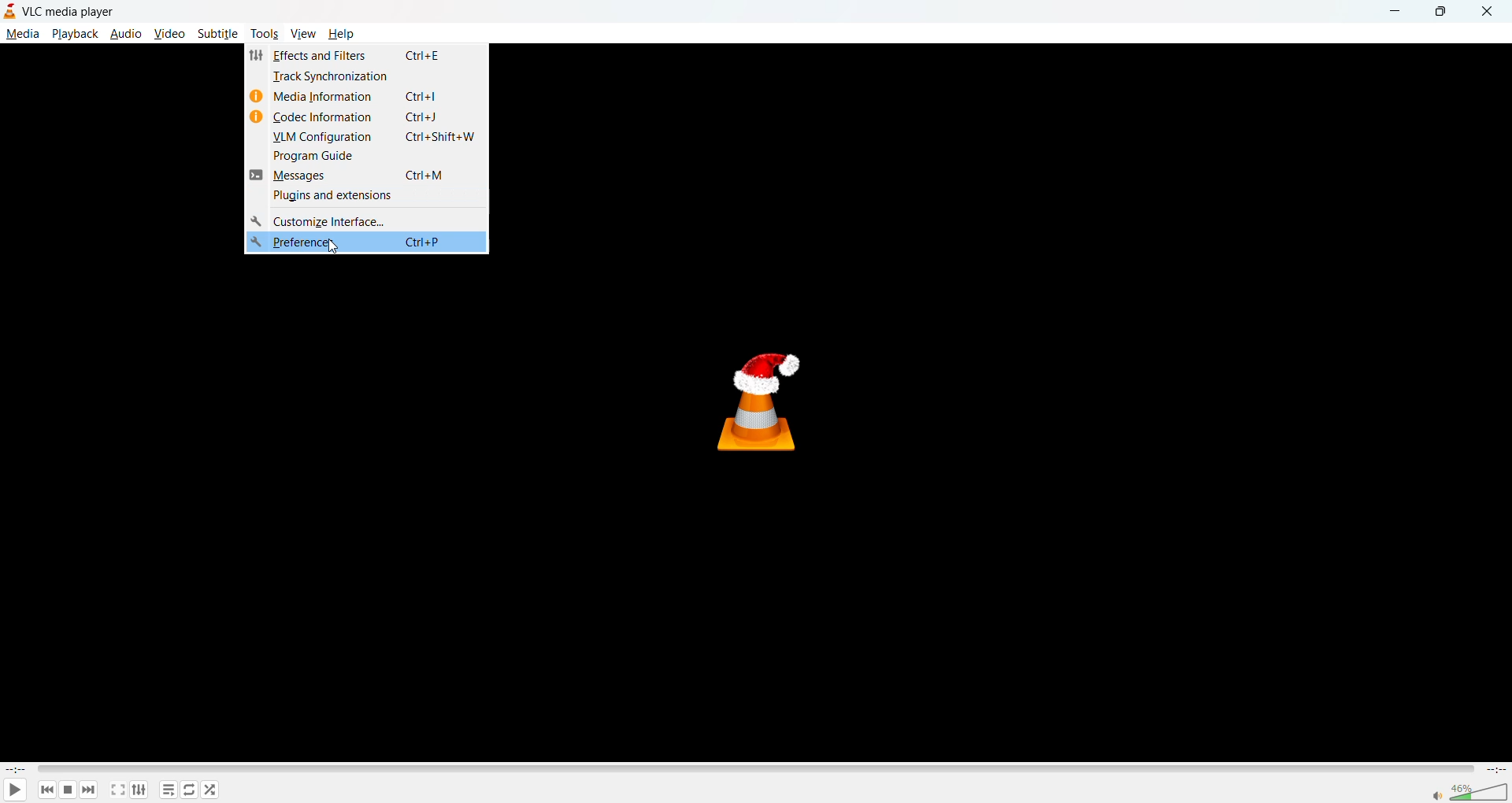 Image resolution: width=1512 pixels, height=803 pixels. Describe the element at coordinates (360, 176) in the screenshot. I see `messages` at that location.